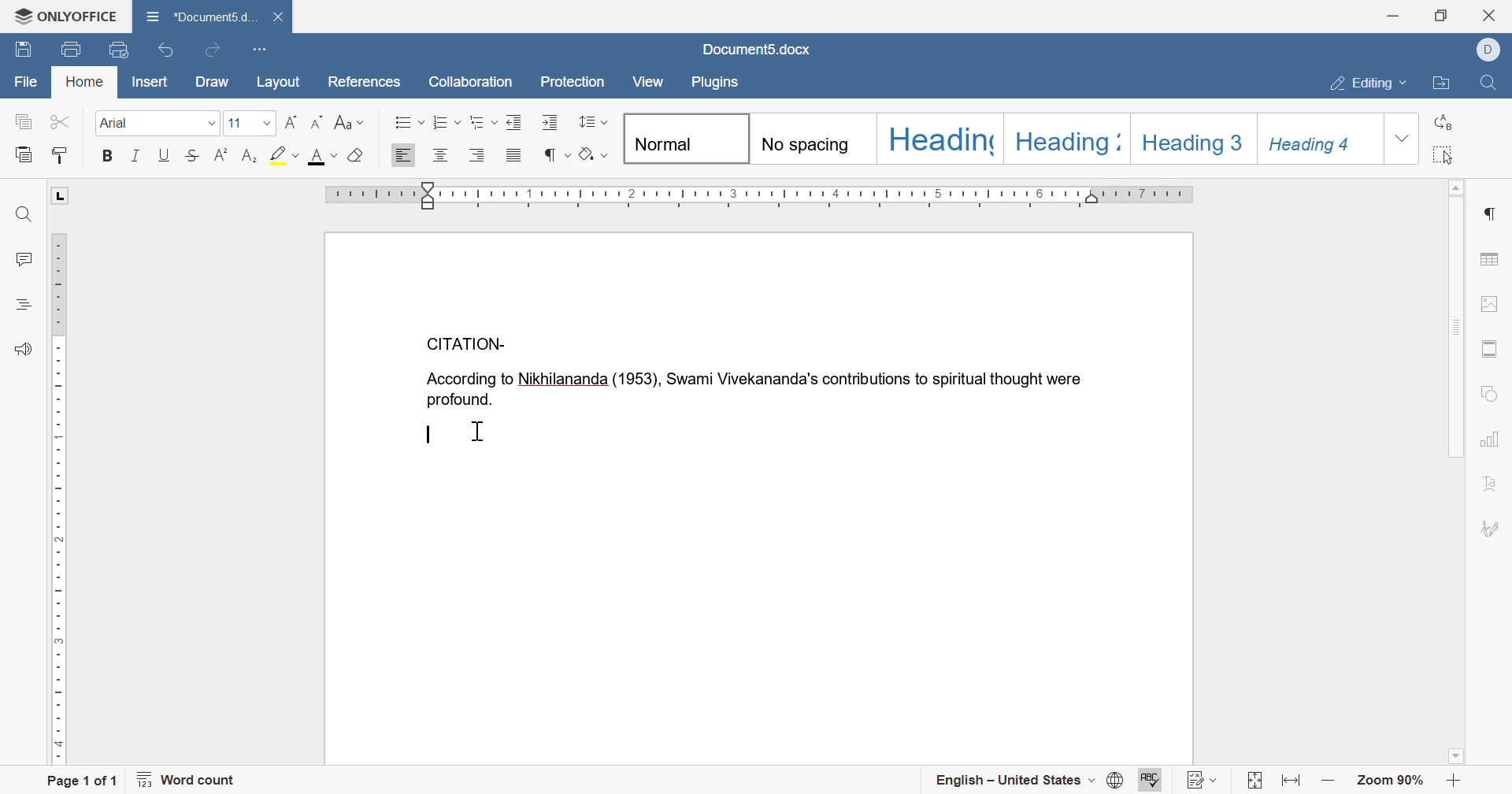  Describe the element at coordinates (513, 154) in the screenshot. I see `justified` at that location.